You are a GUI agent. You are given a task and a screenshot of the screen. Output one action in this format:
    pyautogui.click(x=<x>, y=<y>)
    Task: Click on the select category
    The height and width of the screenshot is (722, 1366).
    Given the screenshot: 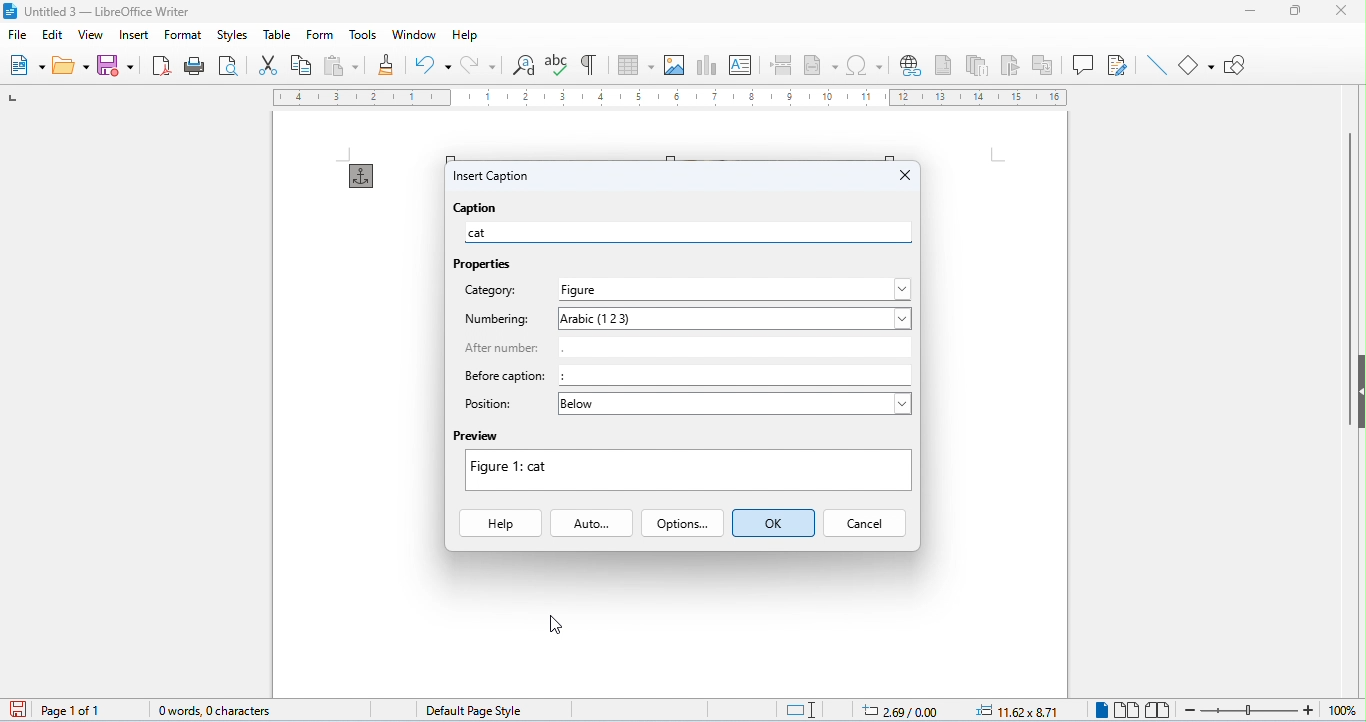 What is the action you would take?
    pyautogui.click(x=733, y=290)
    